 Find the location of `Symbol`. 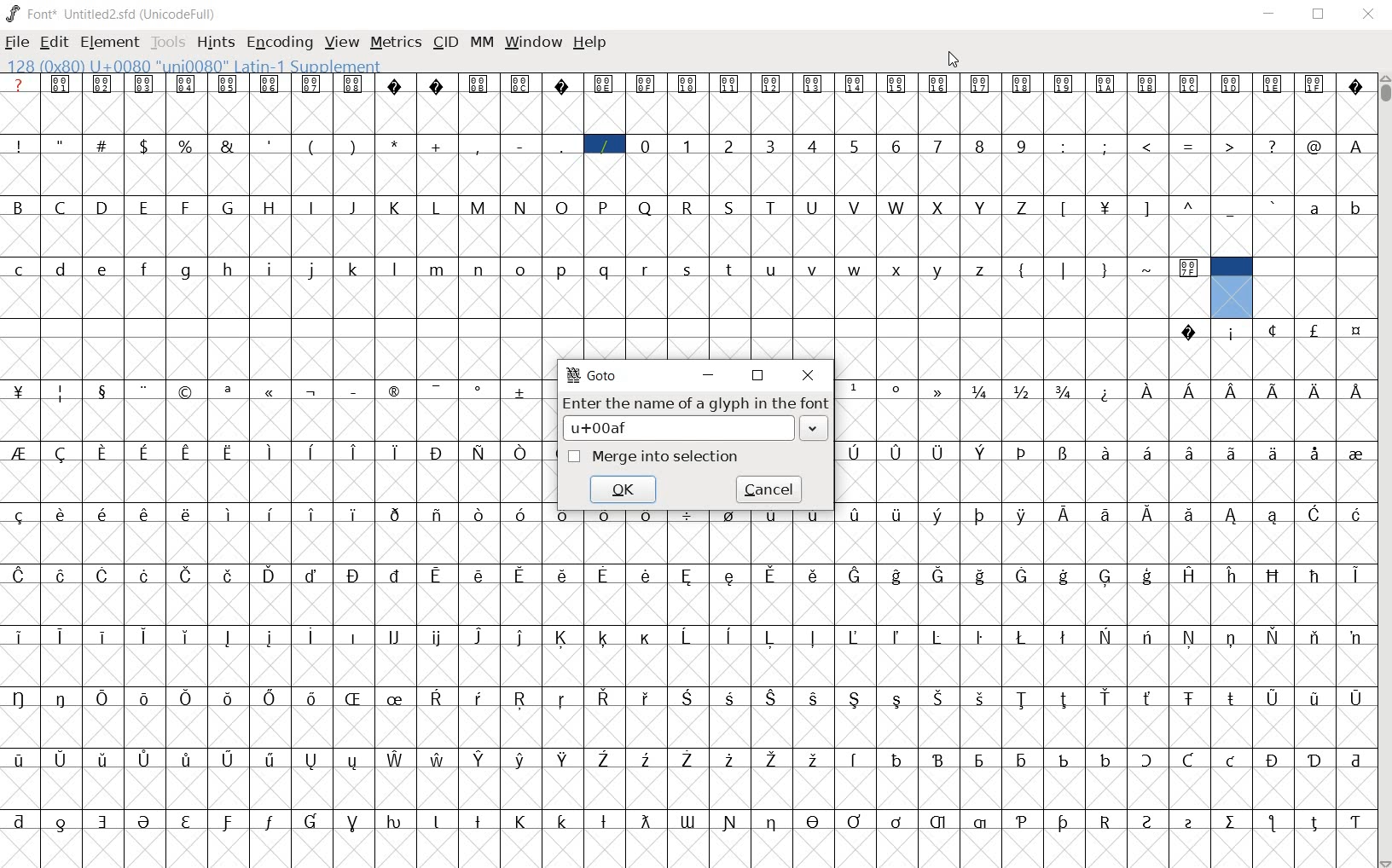

Symbol is located at coordinates (1023, 818).